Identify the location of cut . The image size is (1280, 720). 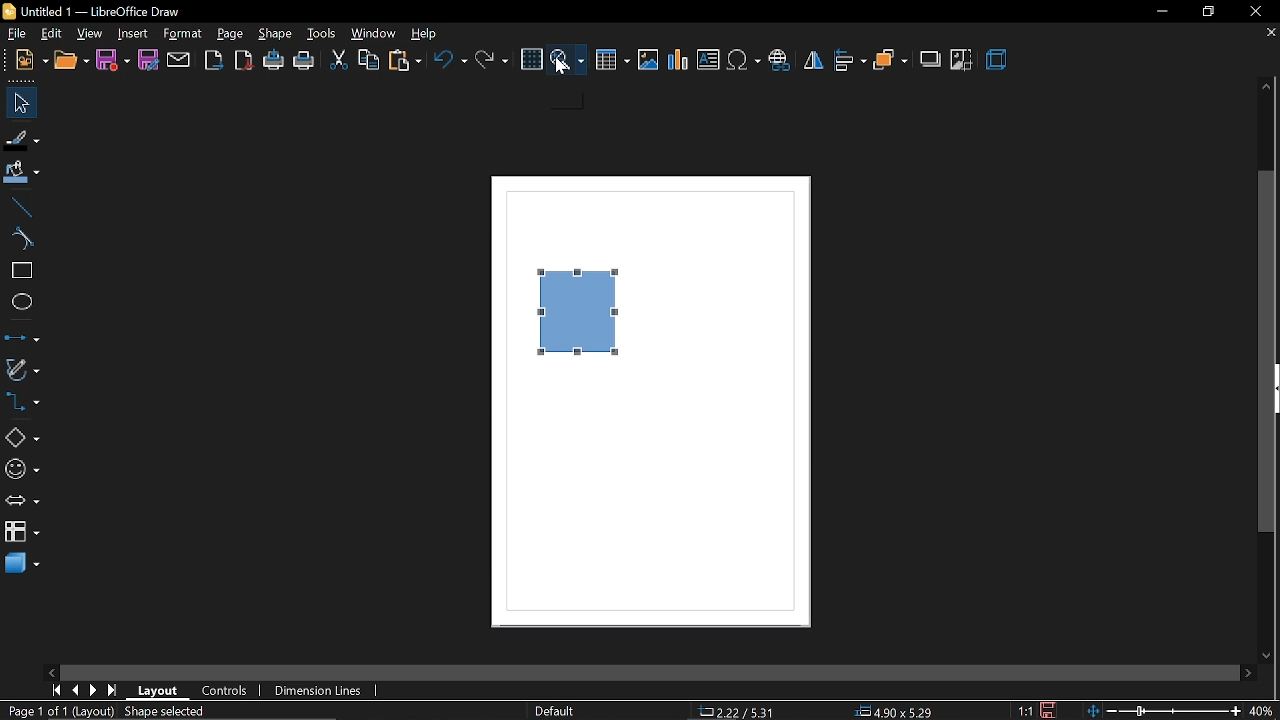
(338, 60).